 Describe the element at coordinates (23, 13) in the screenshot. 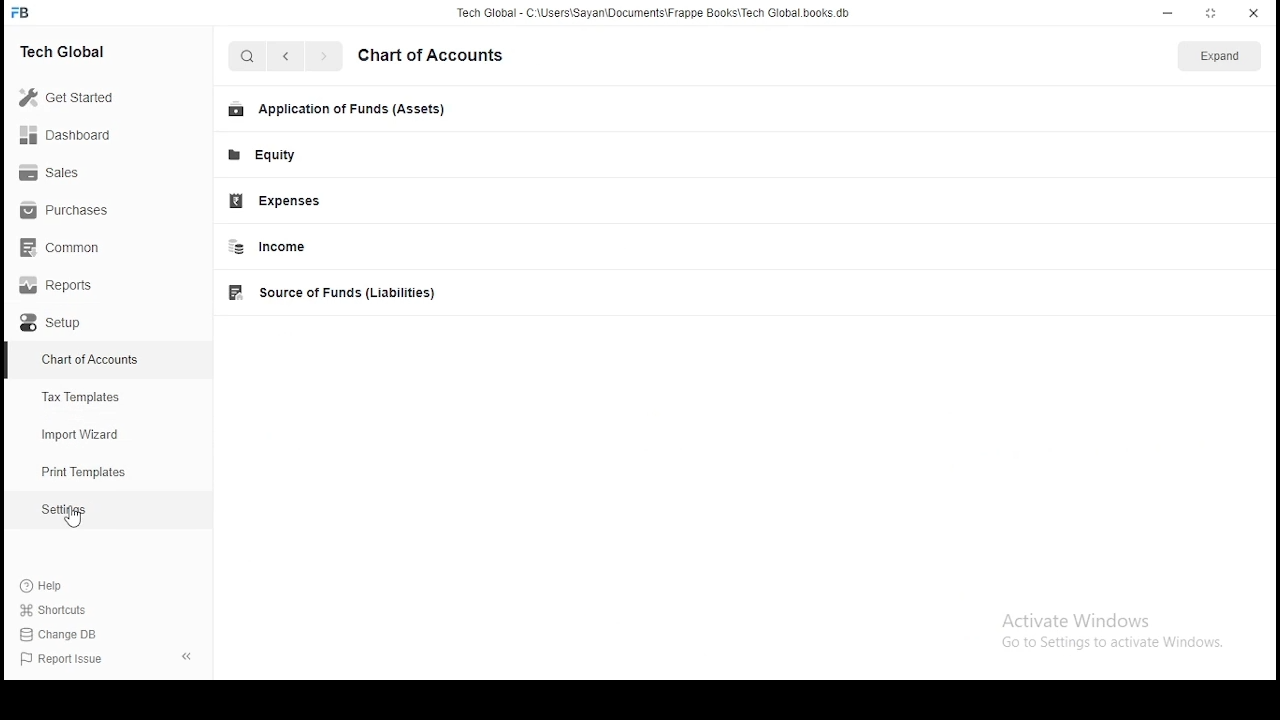

I see `Frappe Books logo` at that location.